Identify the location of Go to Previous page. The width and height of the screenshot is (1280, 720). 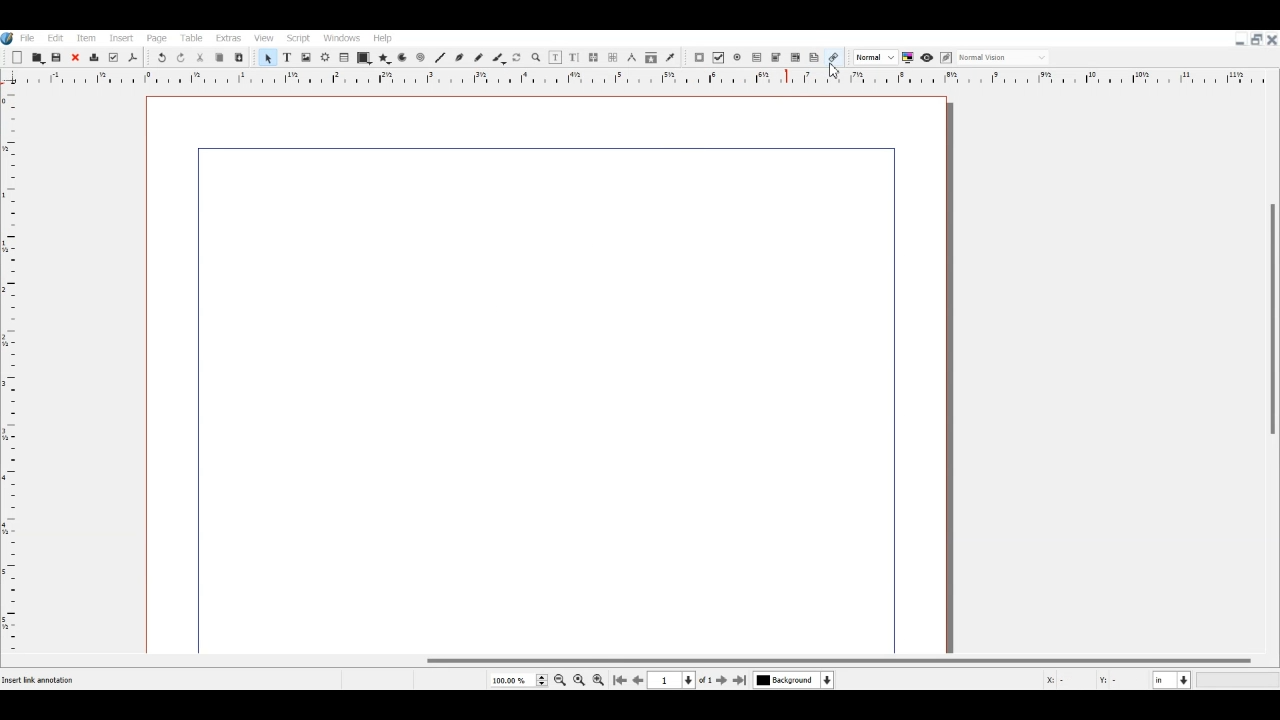
(638, 680).